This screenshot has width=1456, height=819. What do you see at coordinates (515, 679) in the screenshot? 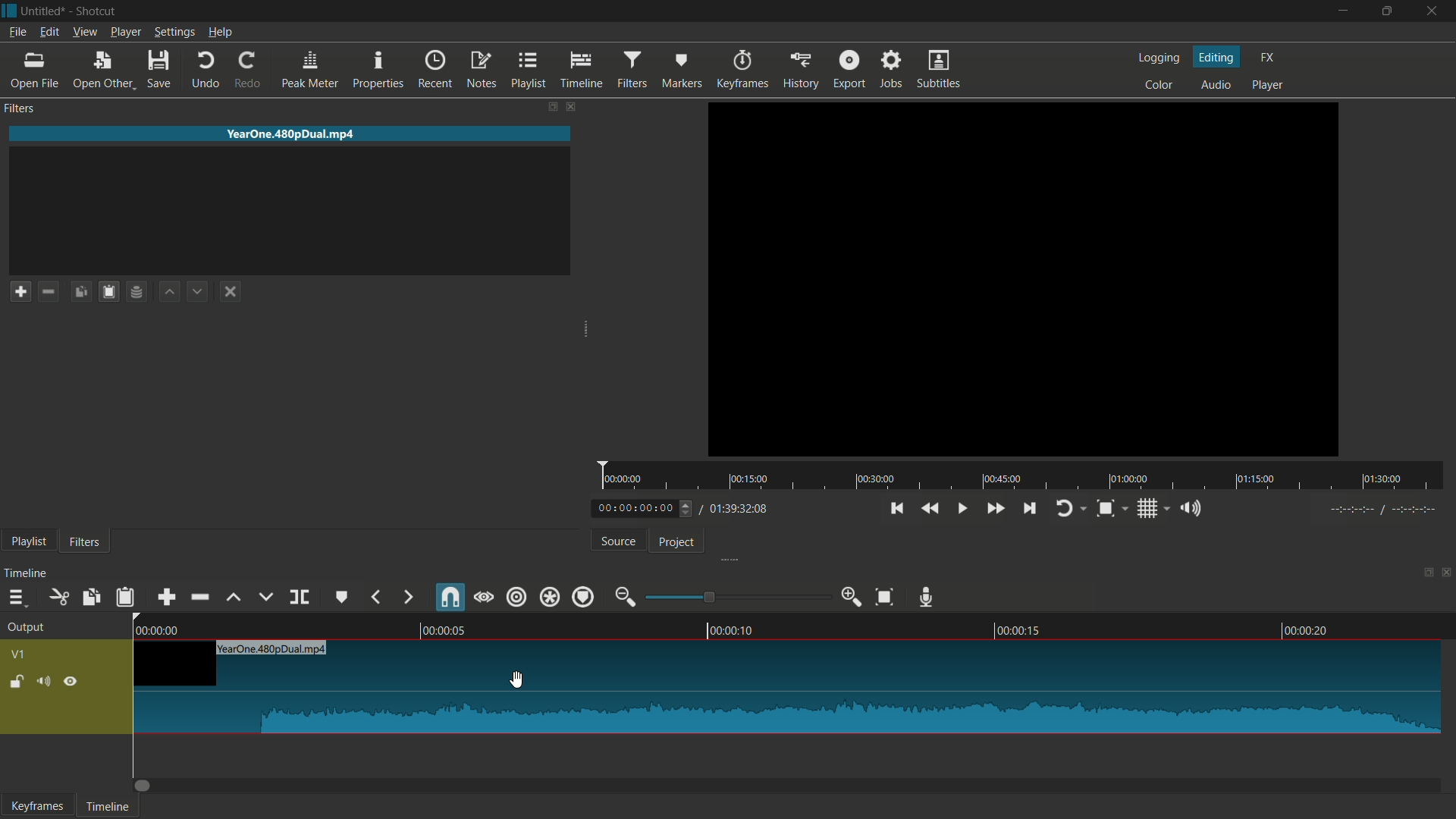
I see `cursor` at bounding box center [515, 679].